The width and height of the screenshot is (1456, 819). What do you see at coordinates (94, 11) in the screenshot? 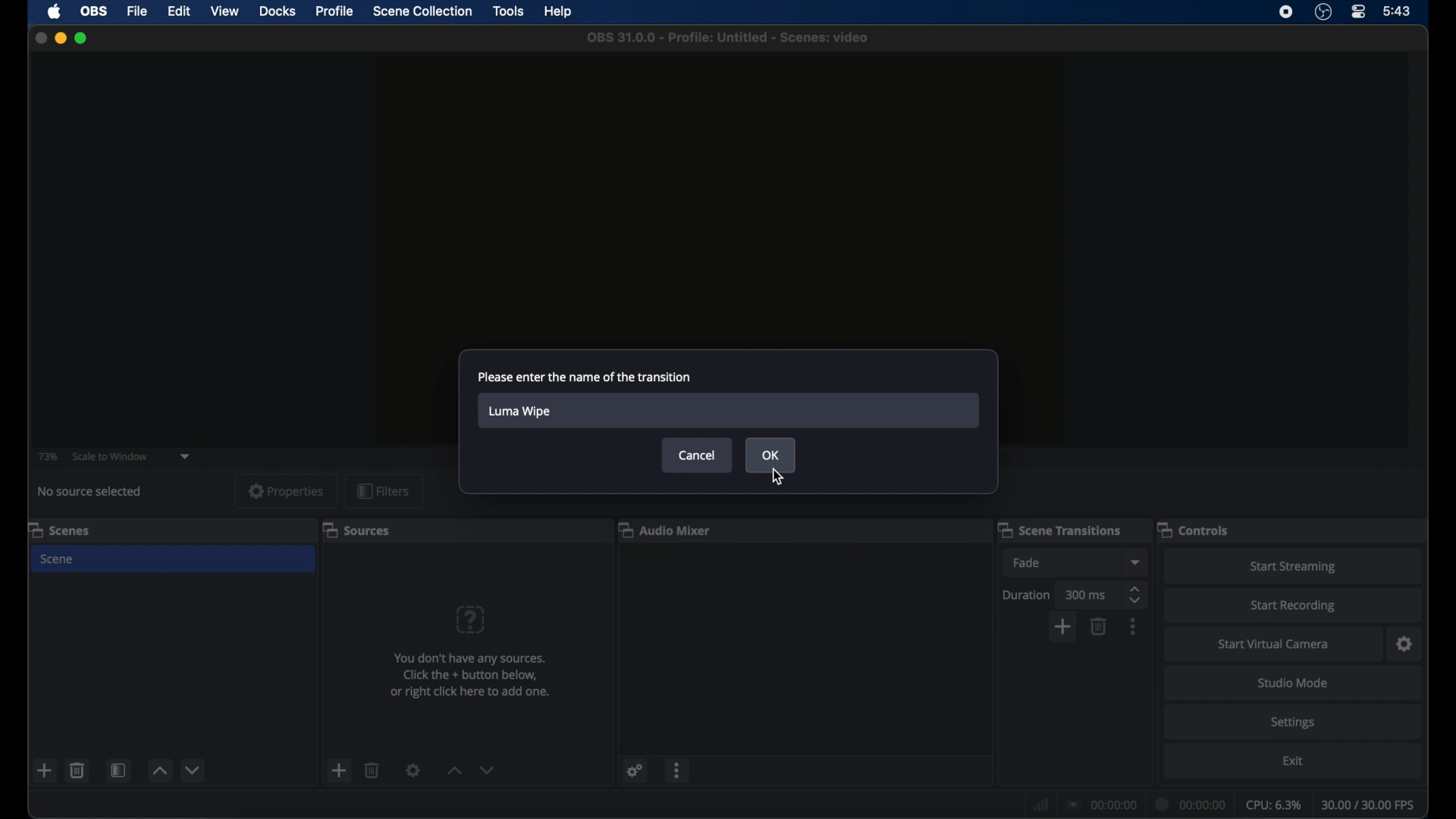
I see `obs` at bounding box center [94, 11].